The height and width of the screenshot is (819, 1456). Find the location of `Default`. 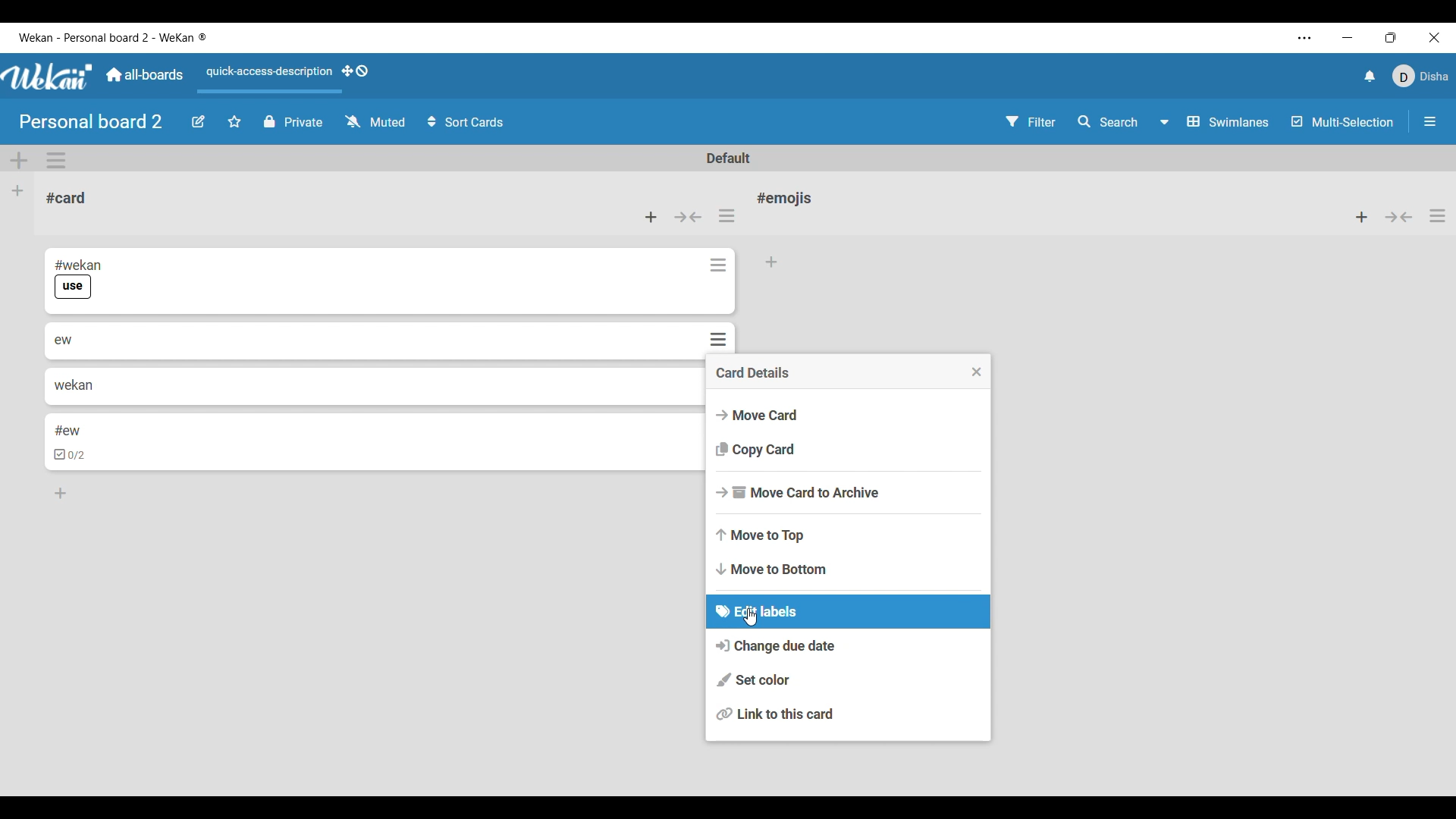

Default is located at coordinates (727, 158).